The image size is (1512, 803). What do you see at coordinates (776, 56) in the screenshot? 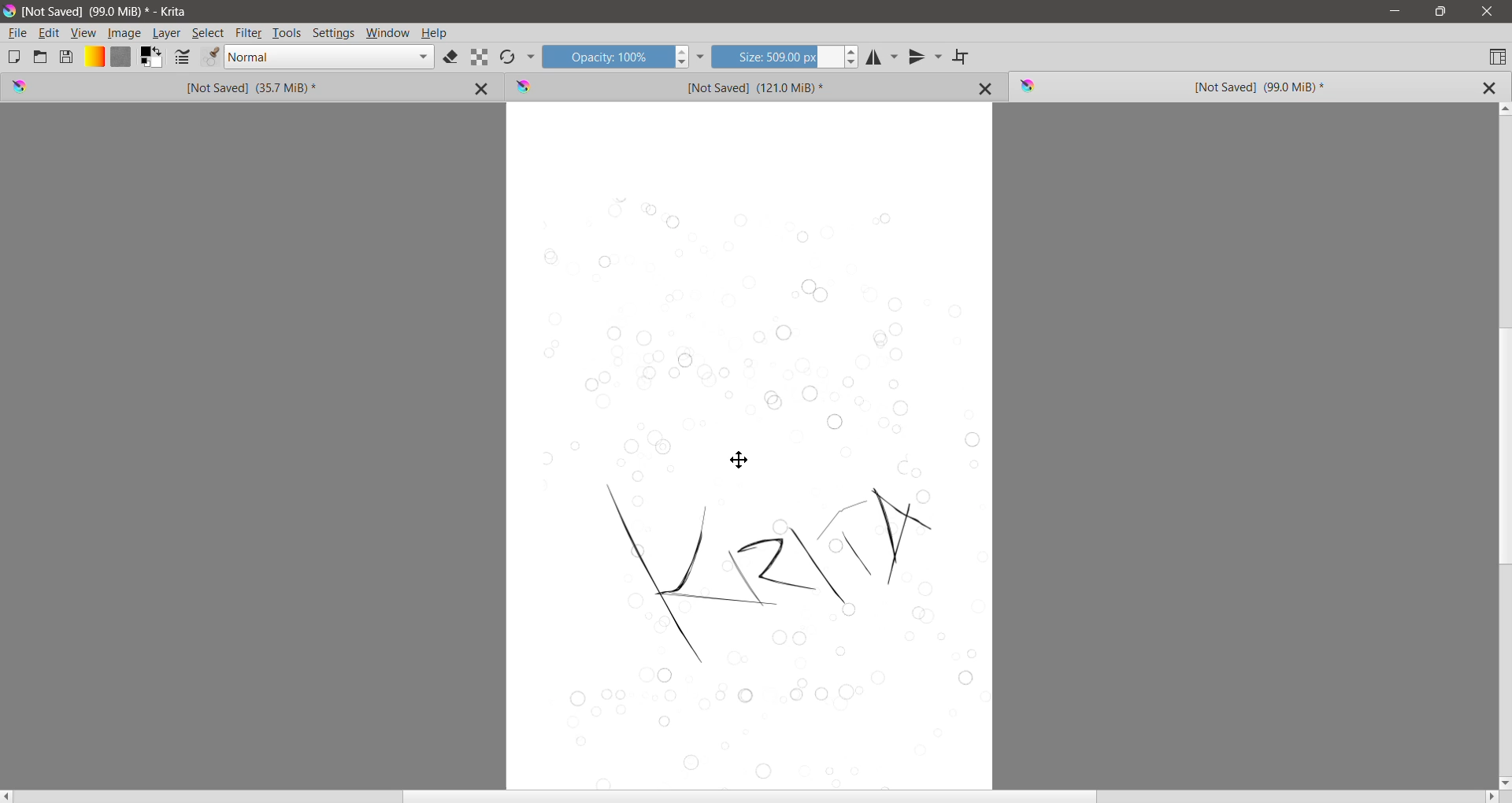
I see `Size input ` at bounding box center [776, 56].